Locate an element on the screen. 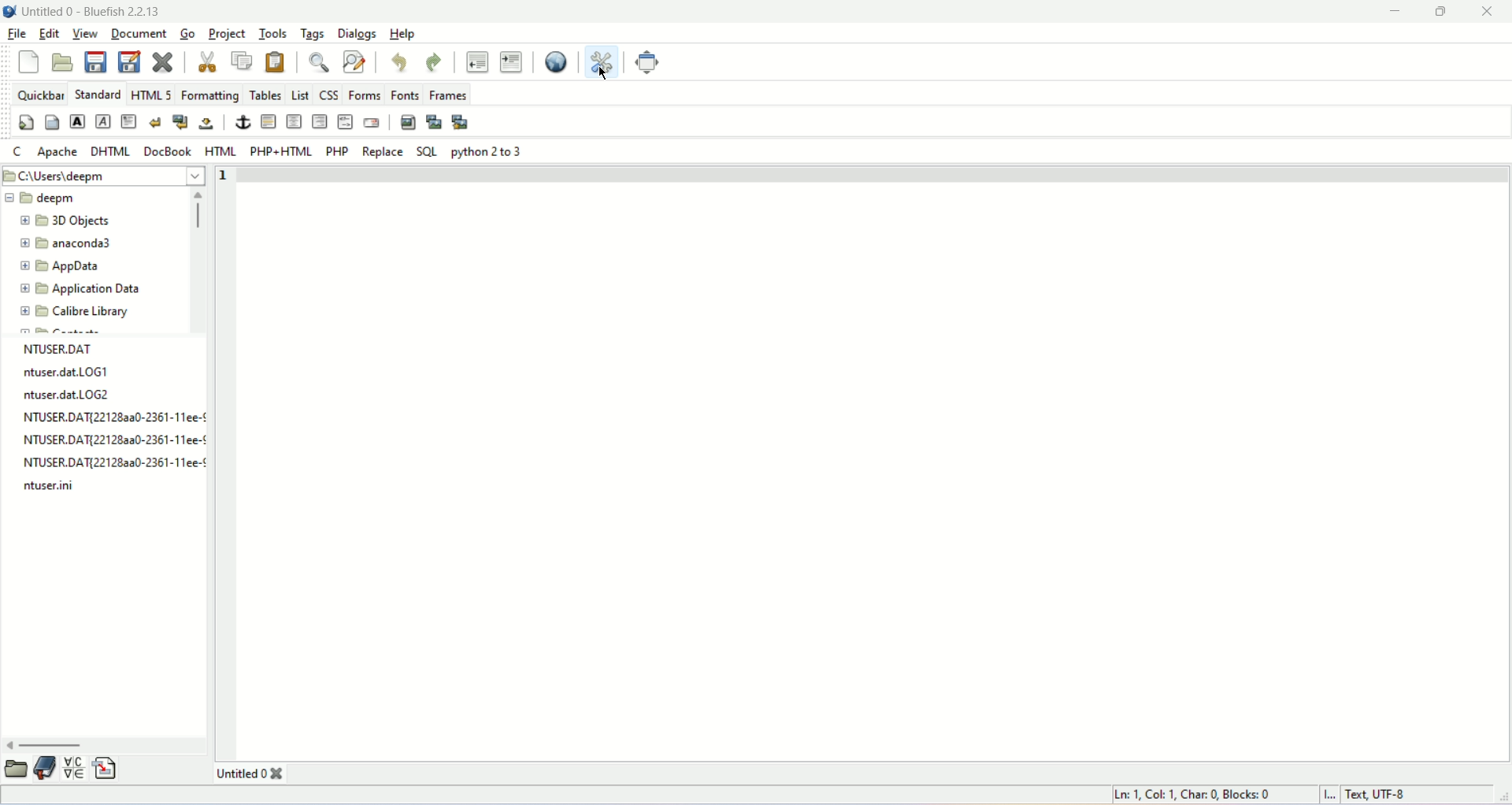  snippet is located at coordinates (106, 768).